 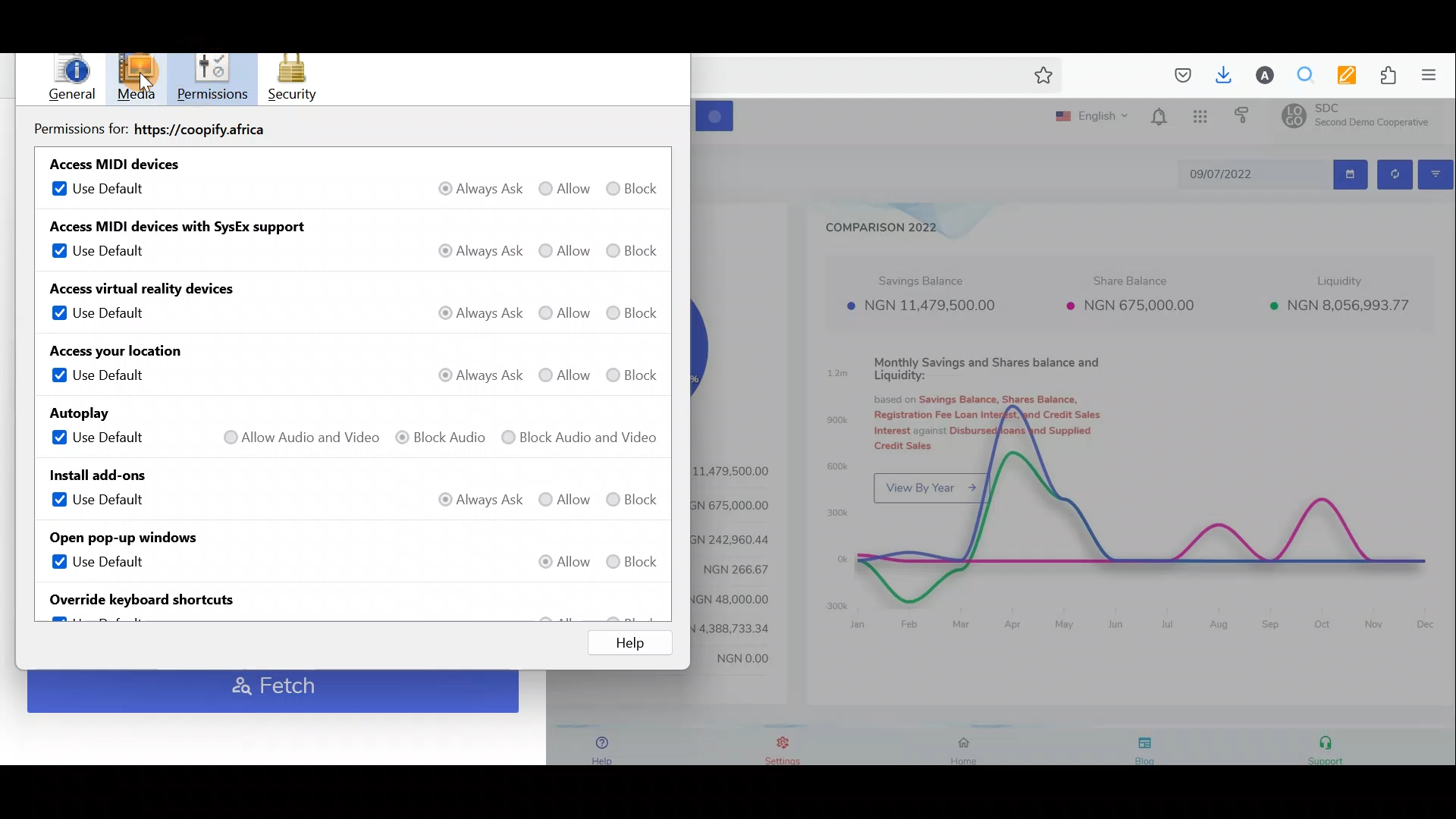 What do you see at coordinates (441, 440) in the screenshot?
I see `Block audio` at bounding box center [441, 440].